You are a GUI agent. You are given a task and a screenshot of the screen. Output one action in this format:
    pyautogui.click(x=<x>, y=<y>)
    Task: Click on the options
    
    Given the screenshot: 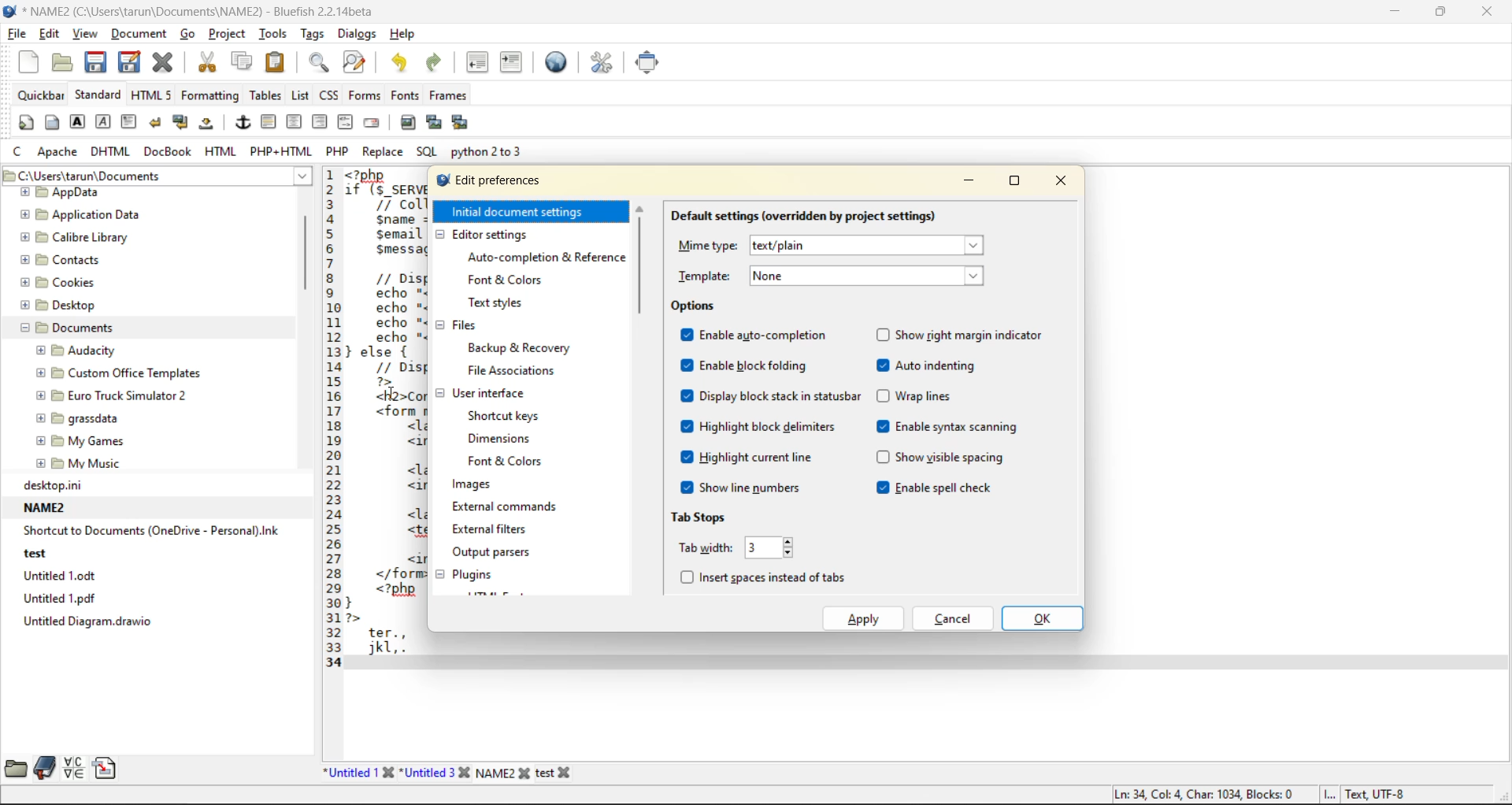 What is the action you would take?
    pyautogui.click(x=702, y=305)
    